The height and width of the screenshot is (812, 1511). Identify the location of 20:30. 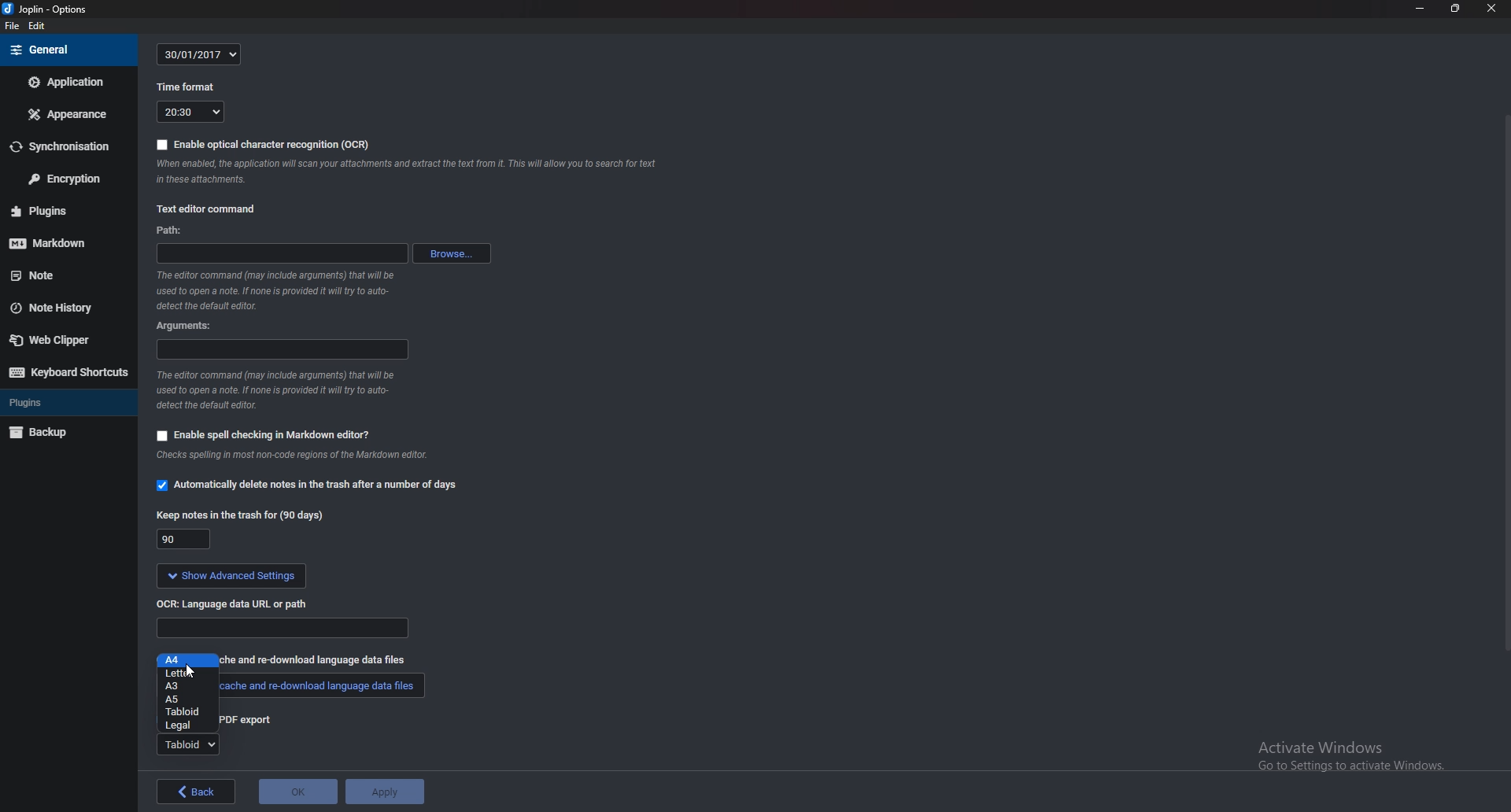
(189, 113).